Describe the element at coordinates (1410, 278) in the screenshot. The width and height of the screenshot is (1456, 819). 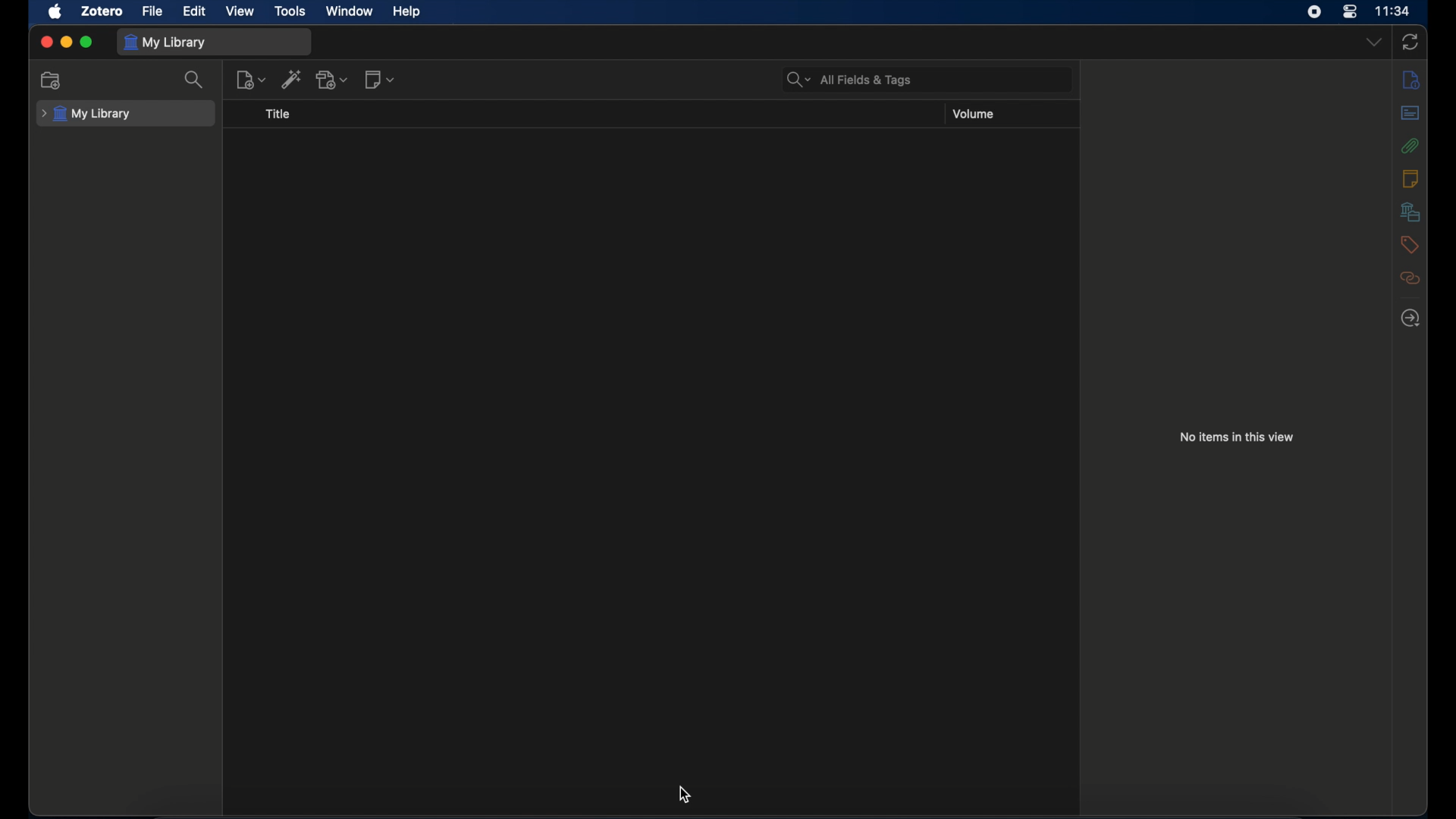
I see `related` at that location.